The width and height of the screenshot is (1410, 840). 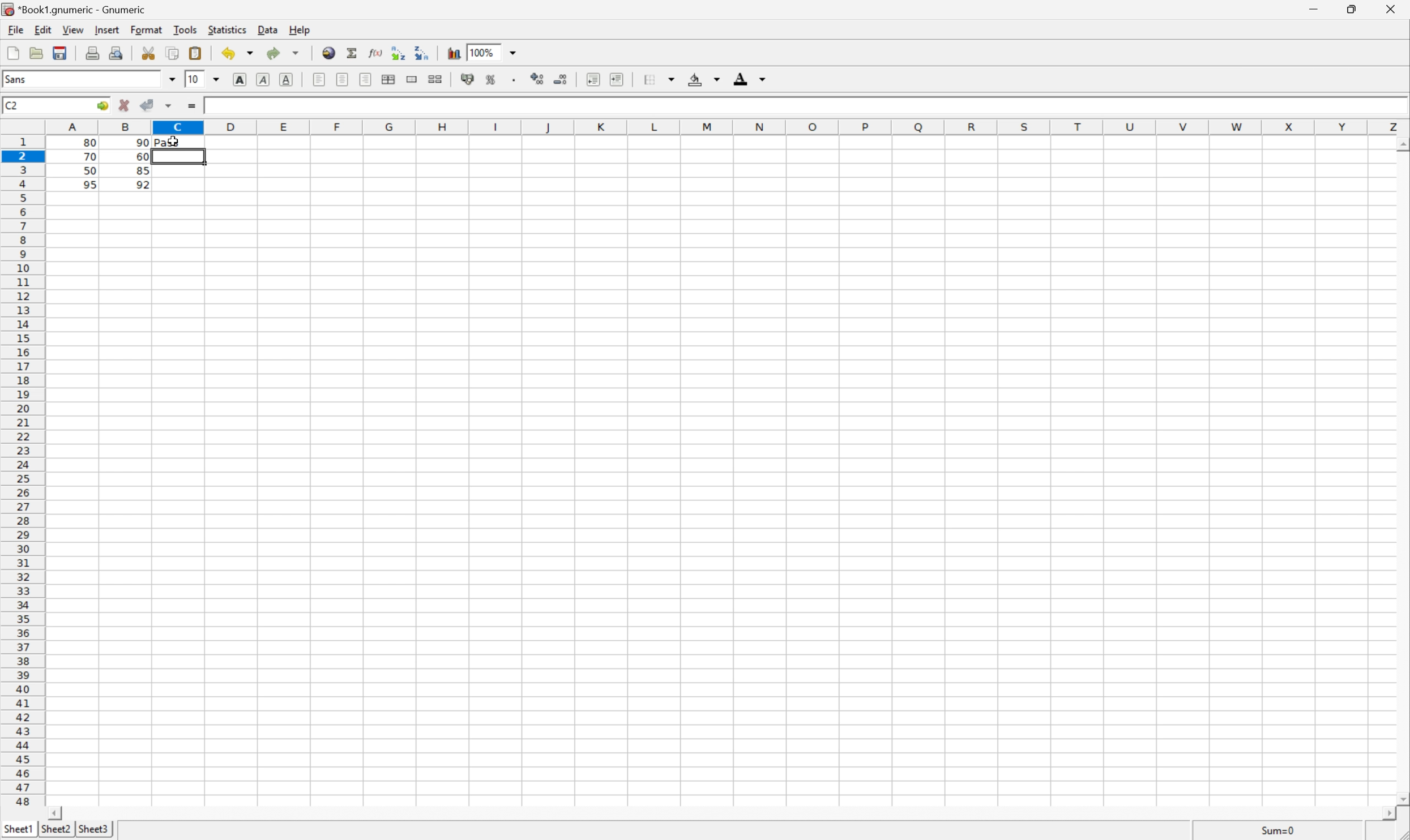 I want to click on Scroll Down, so click(x=1401, y=797).